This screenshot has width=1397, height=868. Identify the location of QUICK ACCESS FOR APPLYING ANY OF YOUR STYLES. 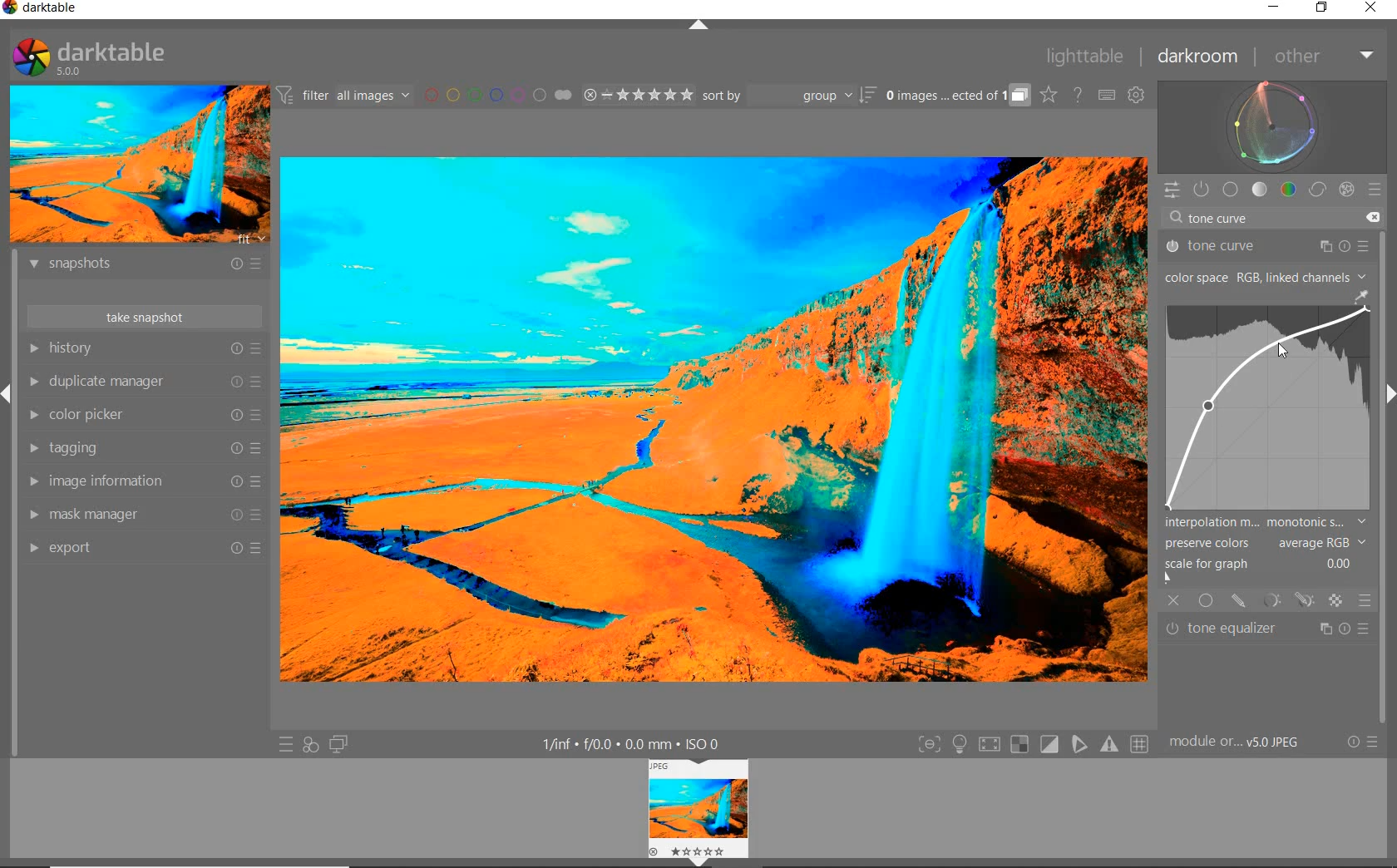
(309, 746).